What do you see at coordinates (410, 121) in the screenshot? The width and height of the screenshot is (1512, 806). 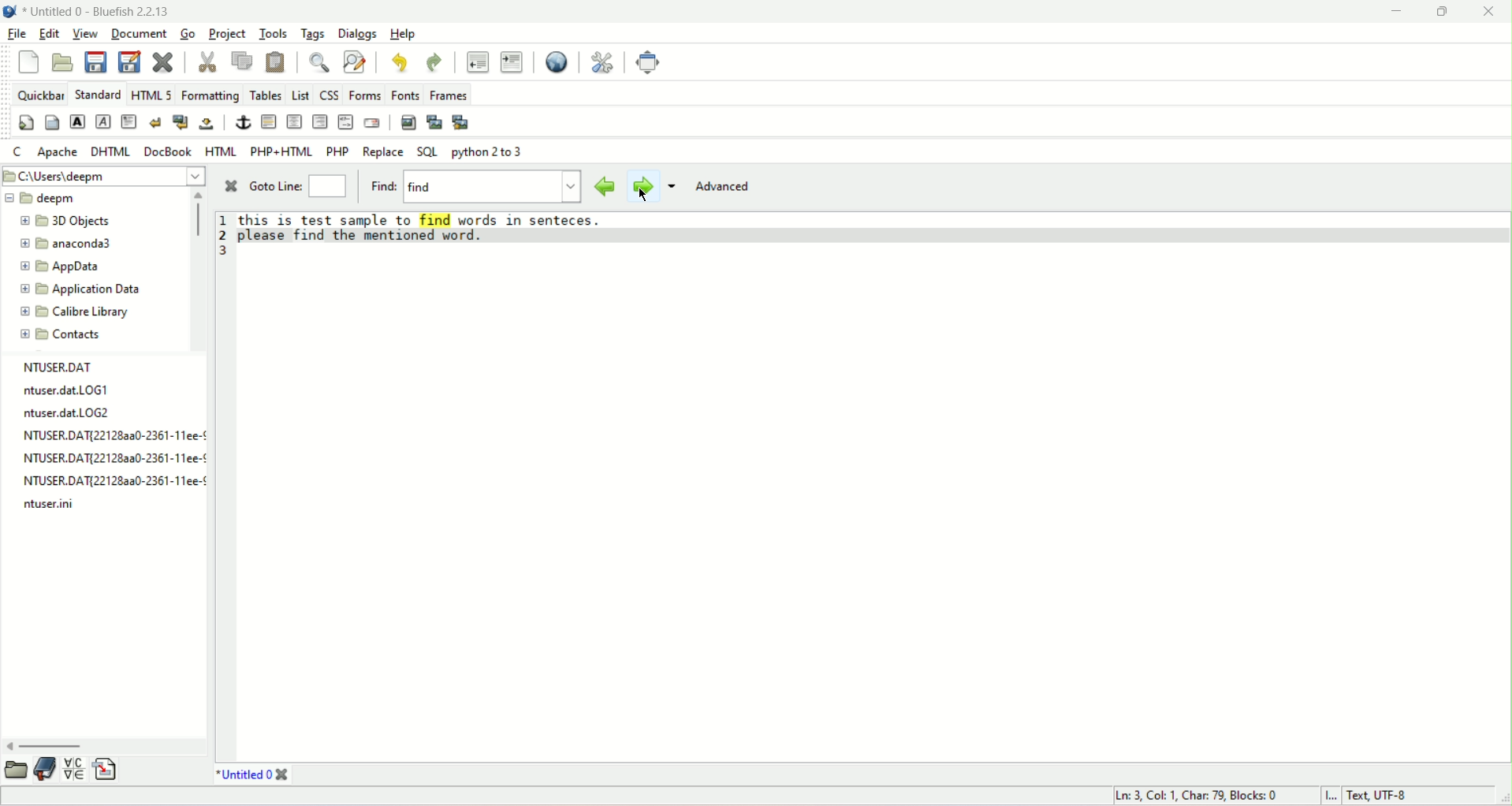 I see `insert images` at bounding box center [410, 121].